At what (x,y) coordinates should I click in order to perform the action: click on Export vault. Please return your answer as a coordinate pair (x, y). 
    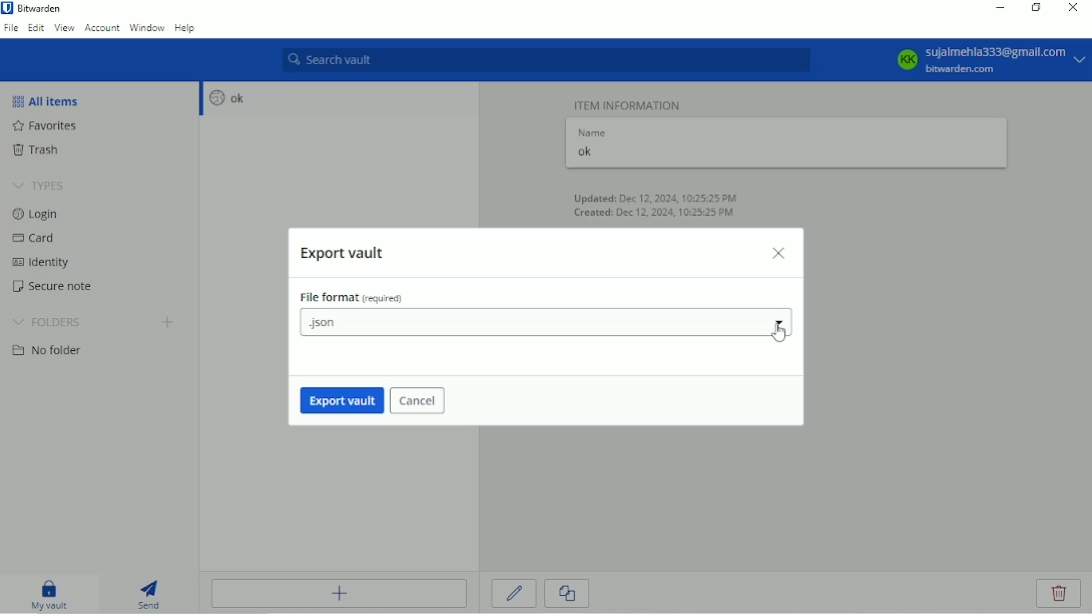
    Looking at the image, I should click on (338, 400).